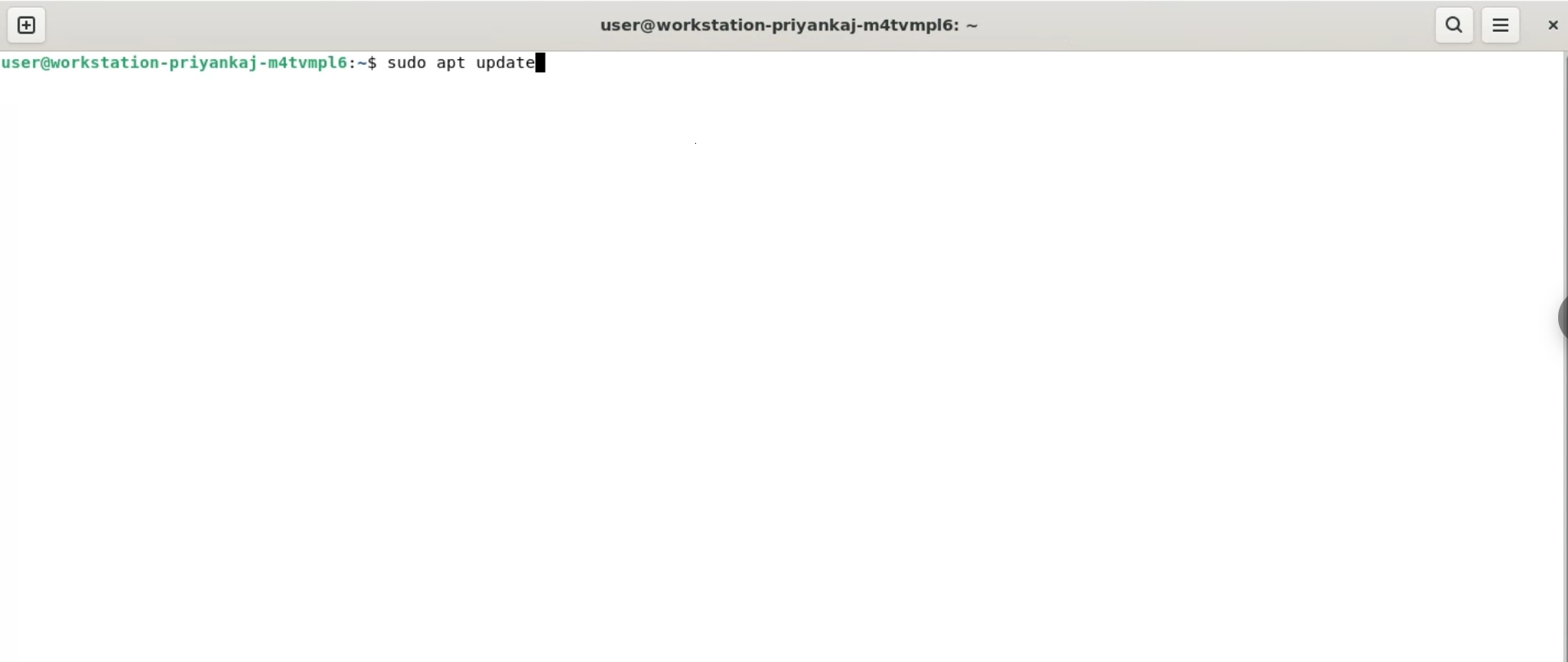  I want to click on search, so click(1455, 25).